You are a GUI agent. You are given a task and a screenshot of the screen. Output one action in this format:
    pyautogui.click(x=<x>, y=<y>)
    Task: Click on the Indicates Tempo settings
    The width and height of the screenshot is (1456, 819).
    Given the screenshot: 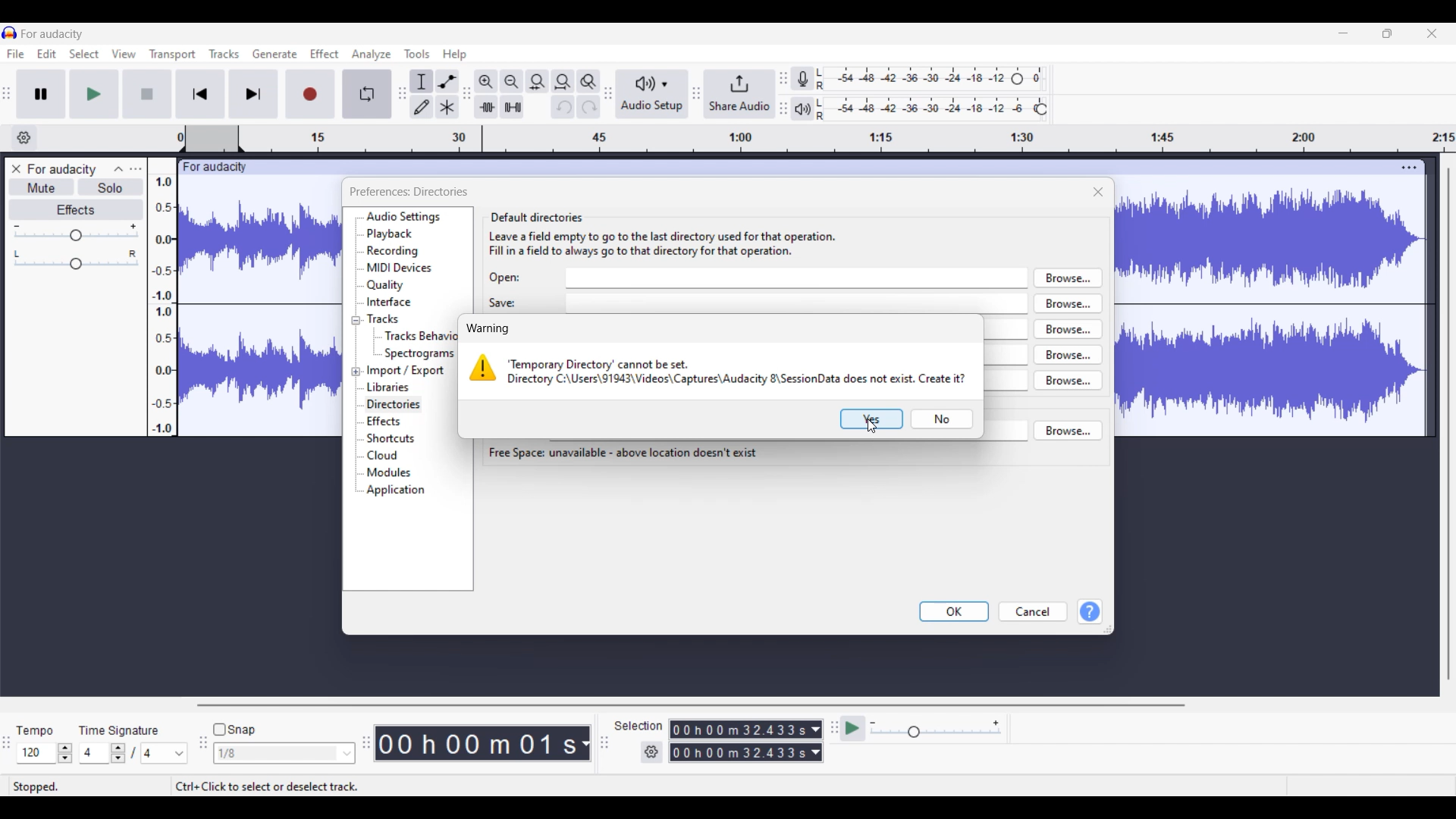 What is the action you would take?
    pyautogui.click(x=36, y=730)
    